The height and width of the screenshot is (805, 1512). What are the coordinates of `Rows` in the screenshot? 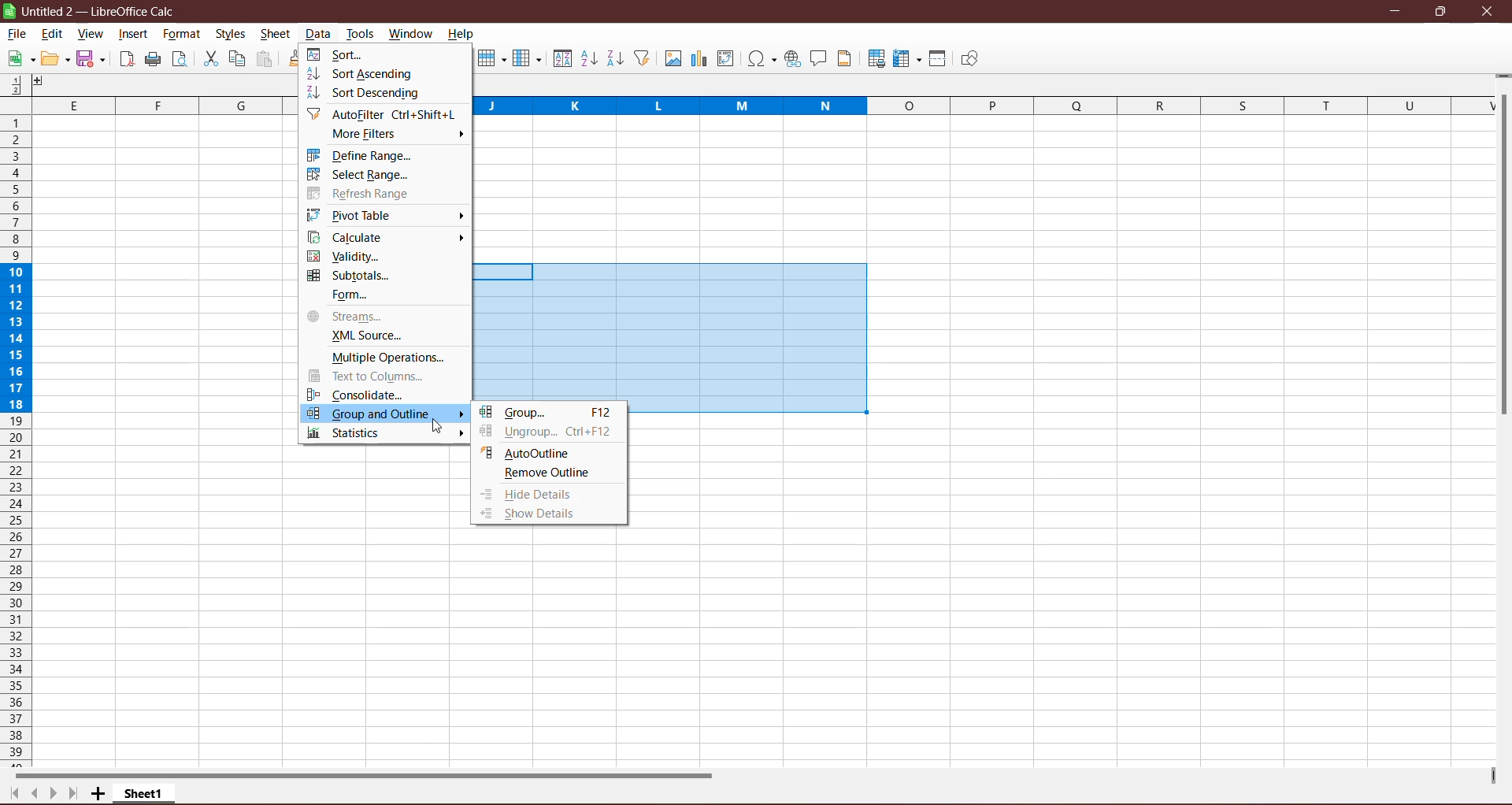 It's located at (490, 60).